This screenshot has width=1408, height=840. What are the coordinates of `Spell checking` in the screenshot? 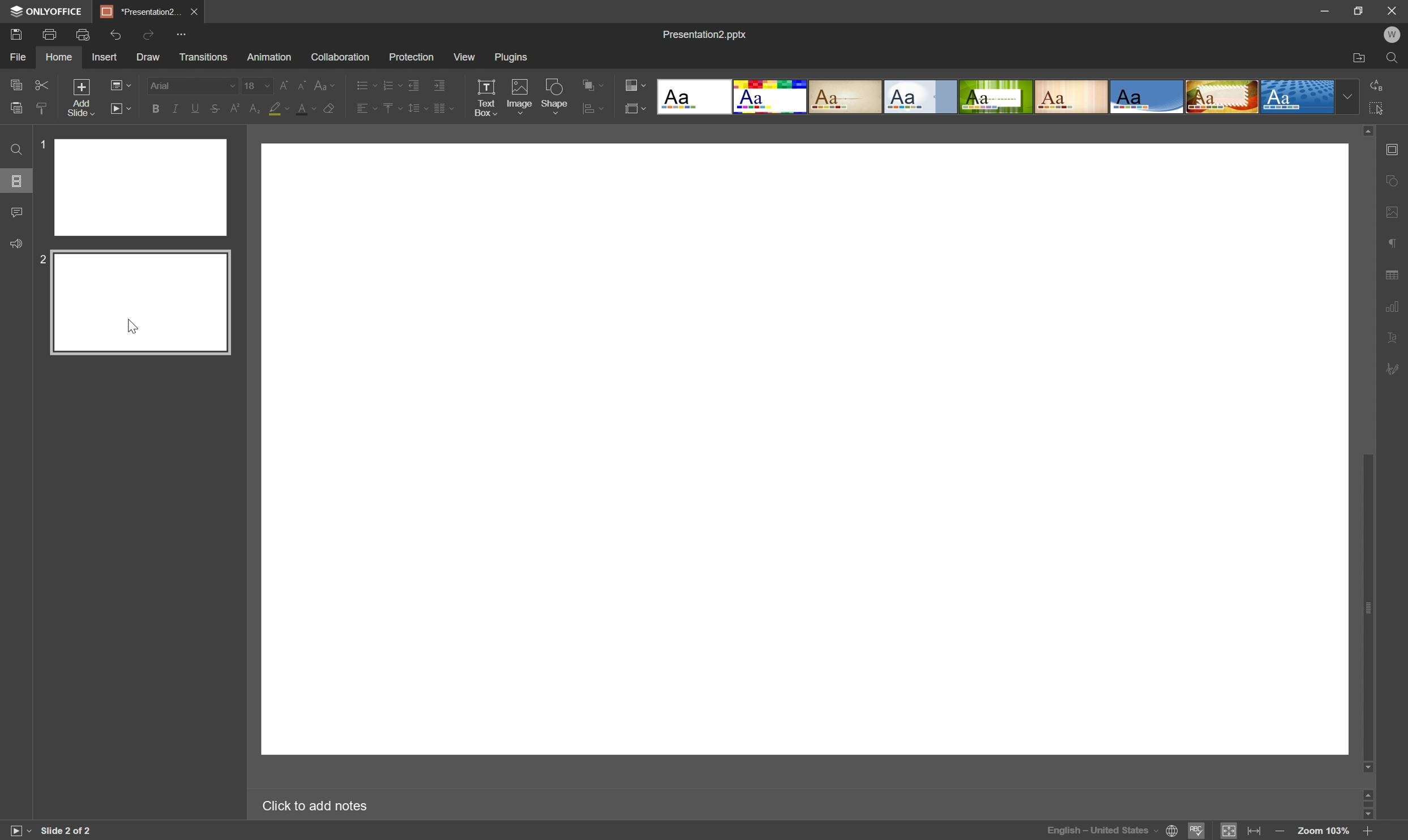 It's located at (1198, 830).